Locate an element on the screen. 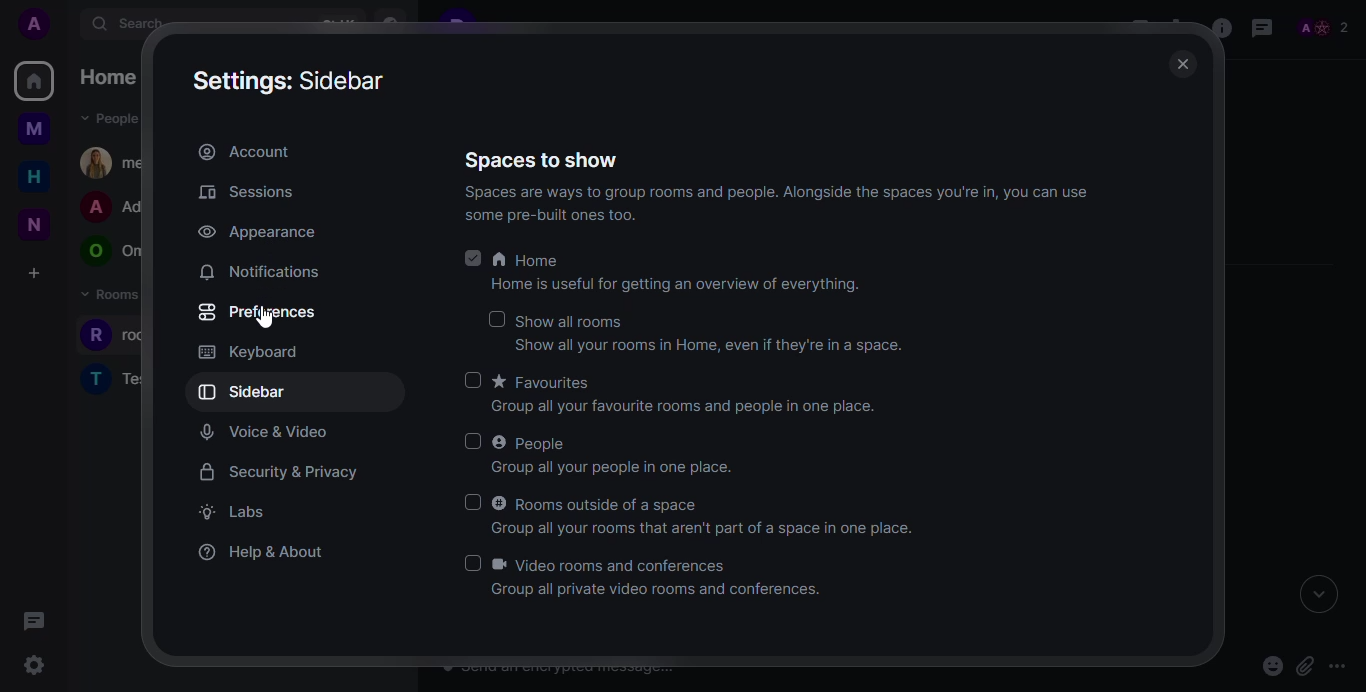  sessions is located at coordinates (246, 192).